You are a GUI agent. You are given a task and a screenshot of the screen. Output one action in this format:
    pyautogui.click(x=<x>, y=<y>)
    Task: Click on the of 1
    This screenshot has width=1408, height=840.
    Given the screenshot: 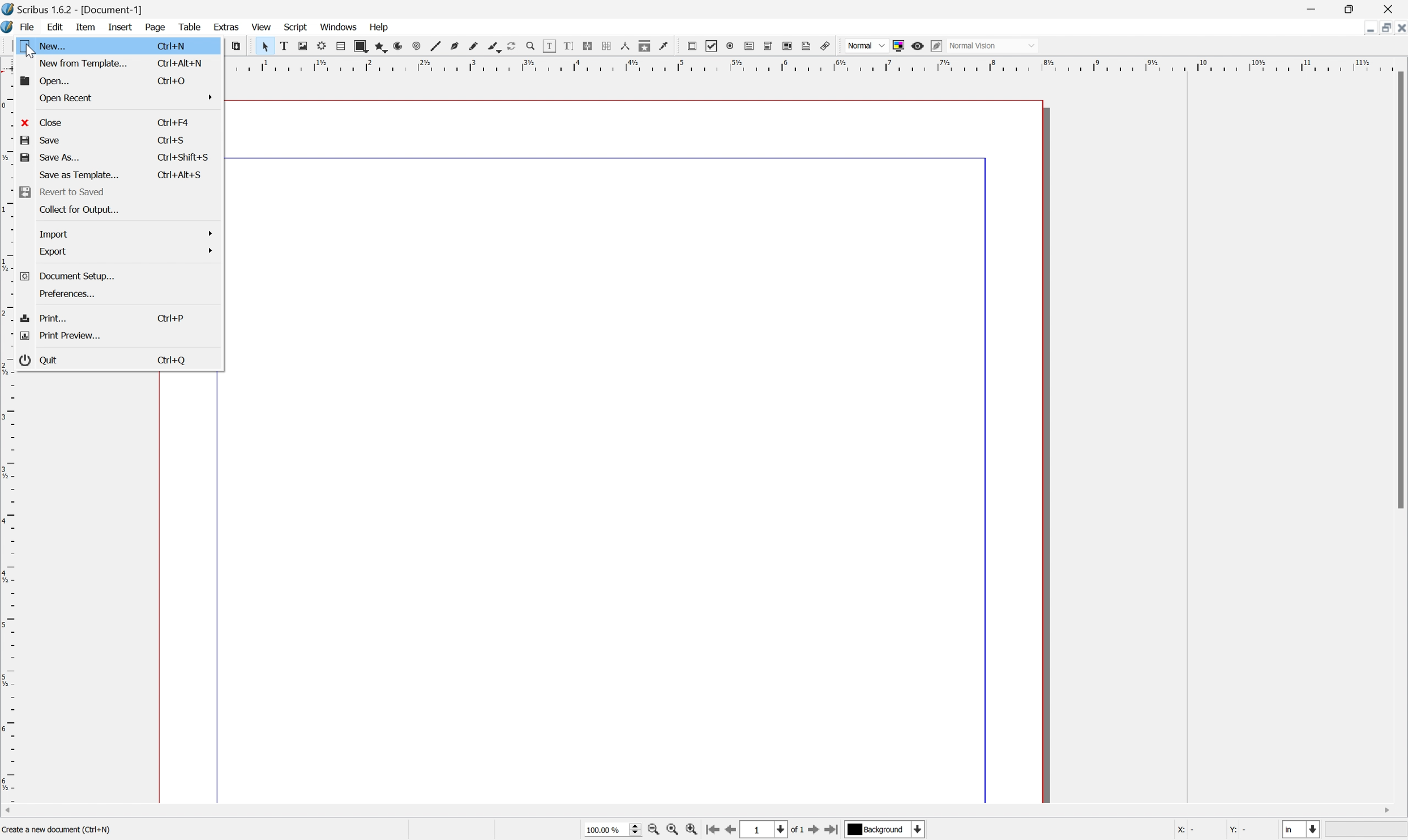 What is the action you would take?
    pyautogui.click(x=795, y=829)
    